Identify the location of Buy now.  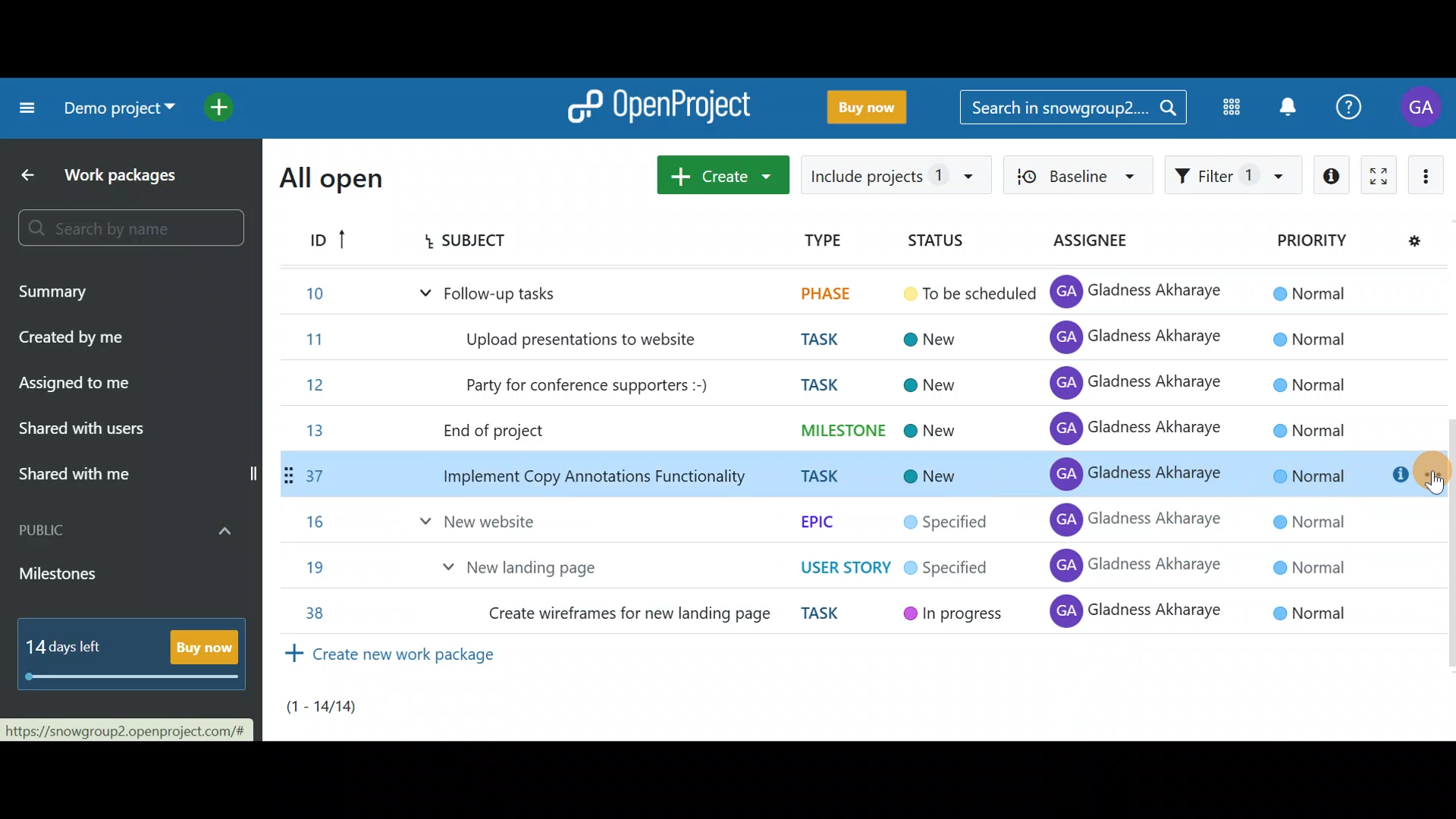
(868, 106).